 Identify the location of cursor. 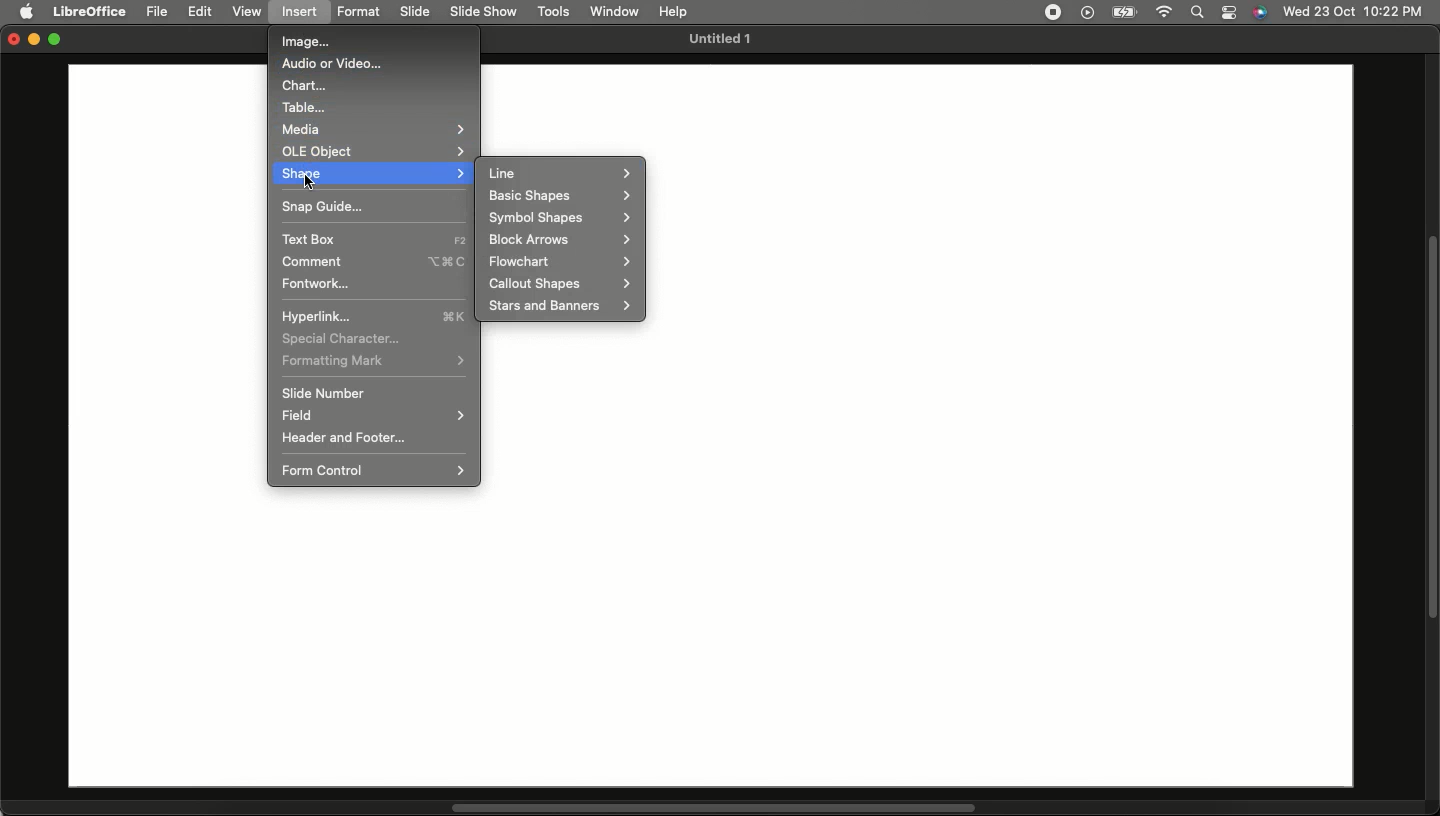
(316, 182).